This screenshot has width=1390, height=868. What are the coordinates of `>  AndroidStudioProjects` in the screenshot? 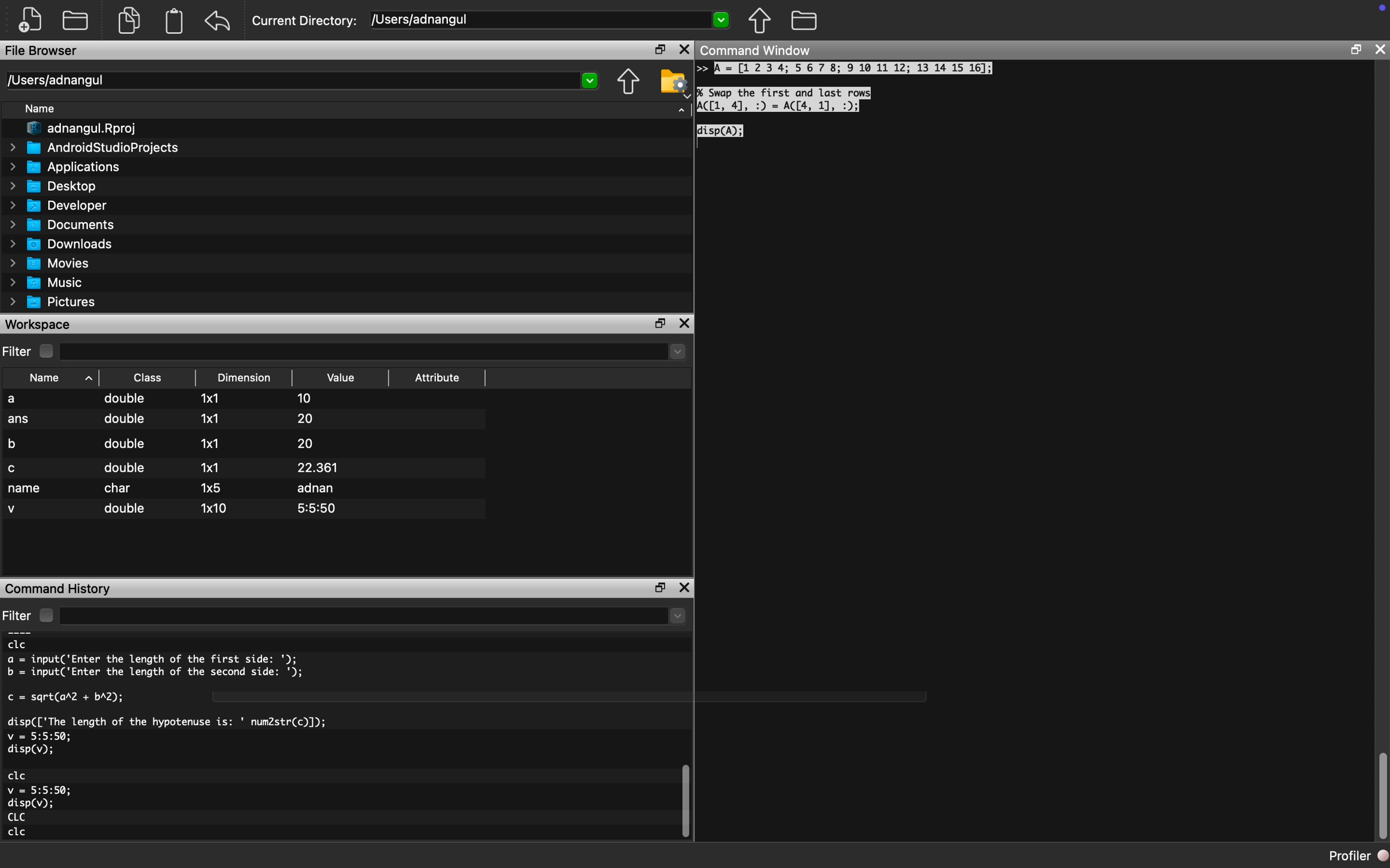 It's located at (94, 149).